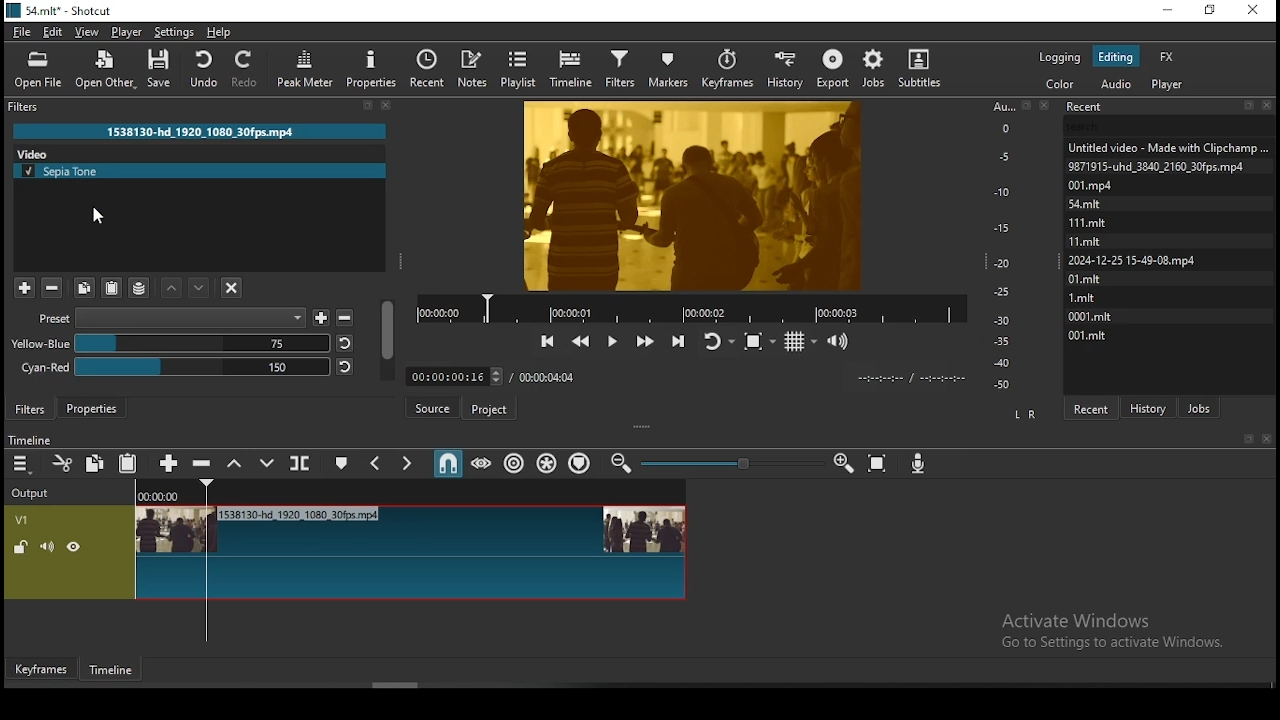 The height and width of the screenshot is (720, 1280). I want to click on play quickly backwards, so click(583, 338).